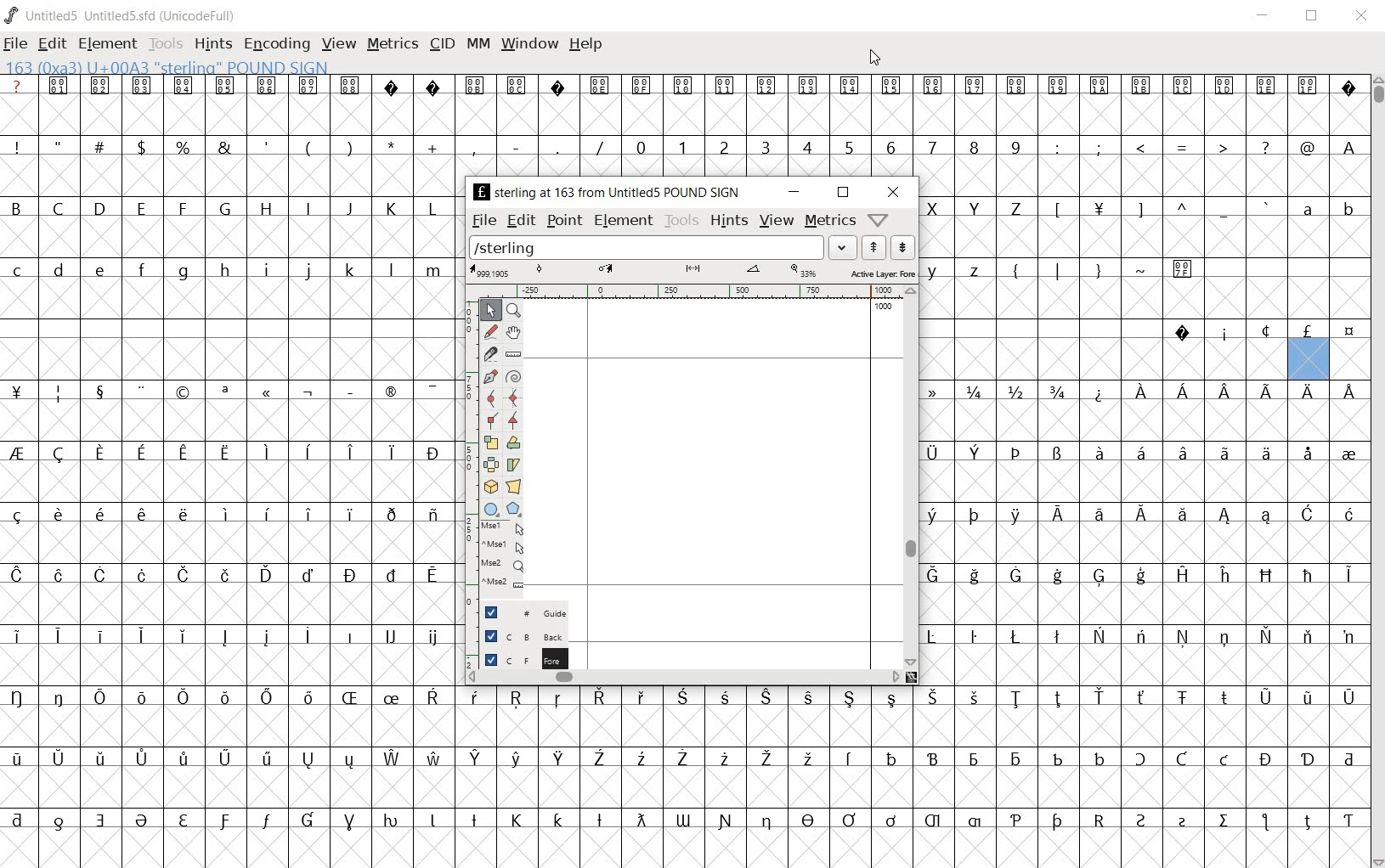 Image resolution: width=1385 pixels, height=868 pixels. I want to click on /sterling, so click(647, 245).